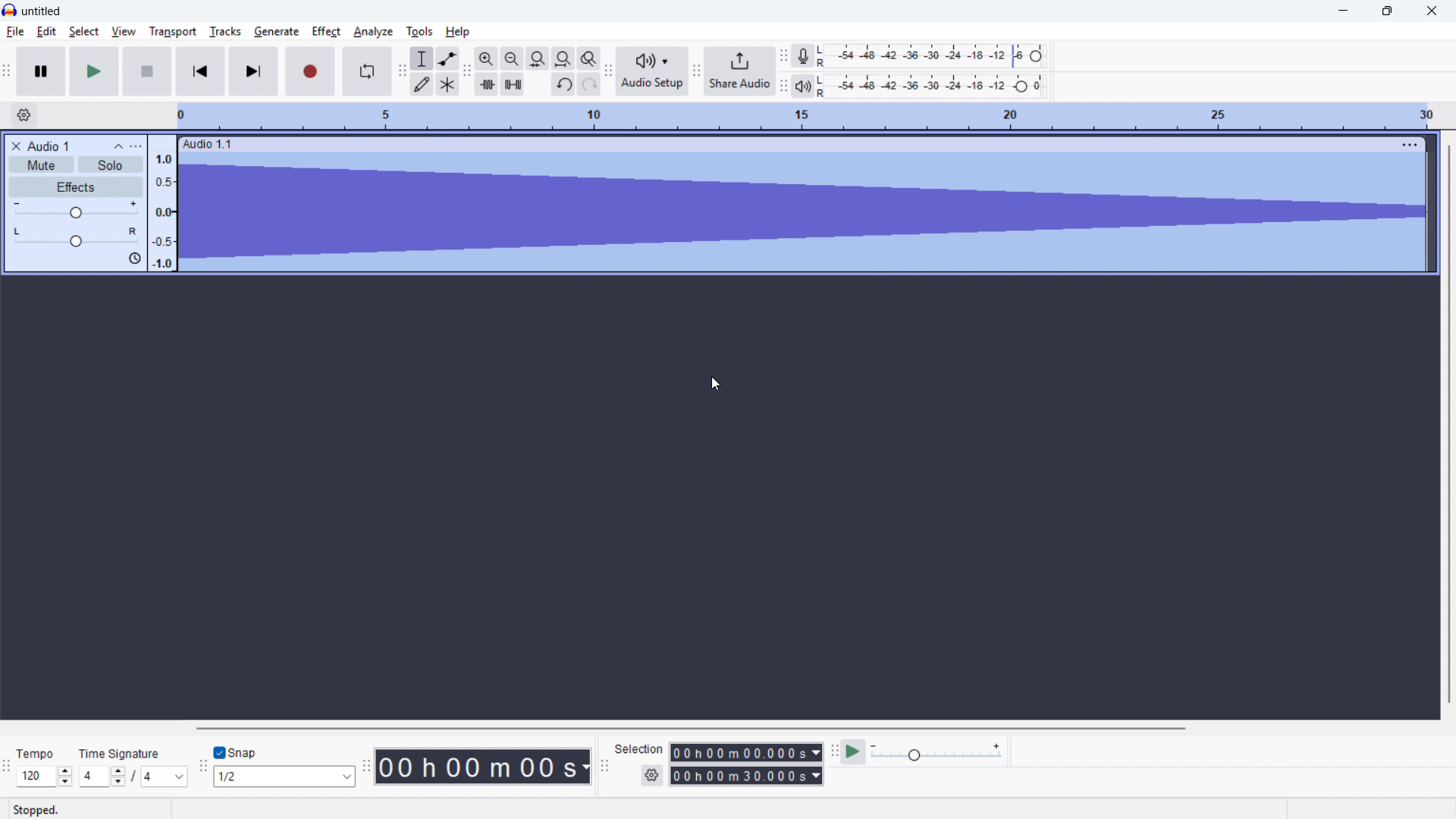 Image resolution: width=1456 pixels, height=819 pixels. I want to click on Enable looping , so click(366, 71).